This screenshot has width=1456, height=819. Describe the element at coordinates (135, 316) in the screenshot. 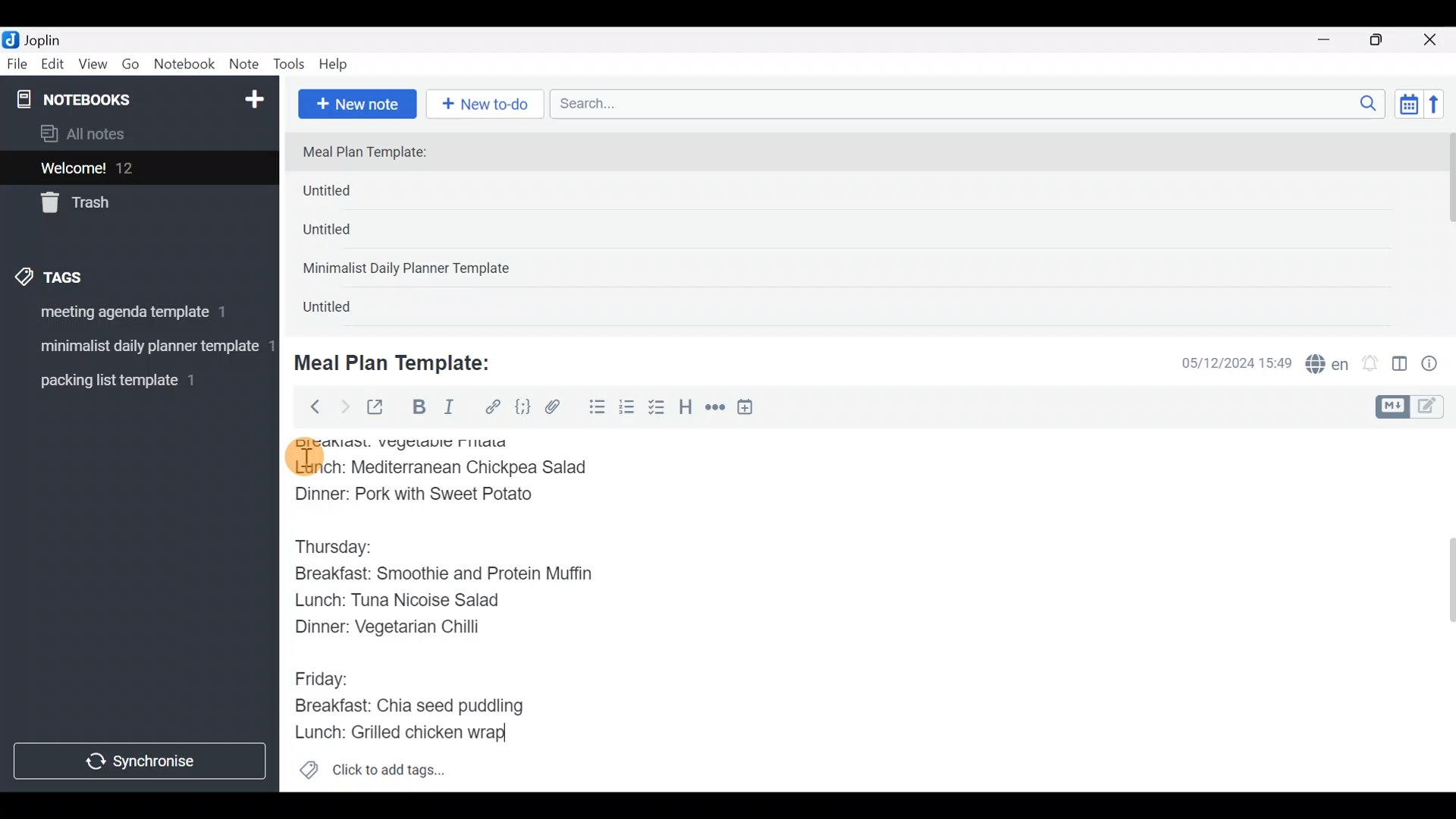

I see `Tag 1` at that location.